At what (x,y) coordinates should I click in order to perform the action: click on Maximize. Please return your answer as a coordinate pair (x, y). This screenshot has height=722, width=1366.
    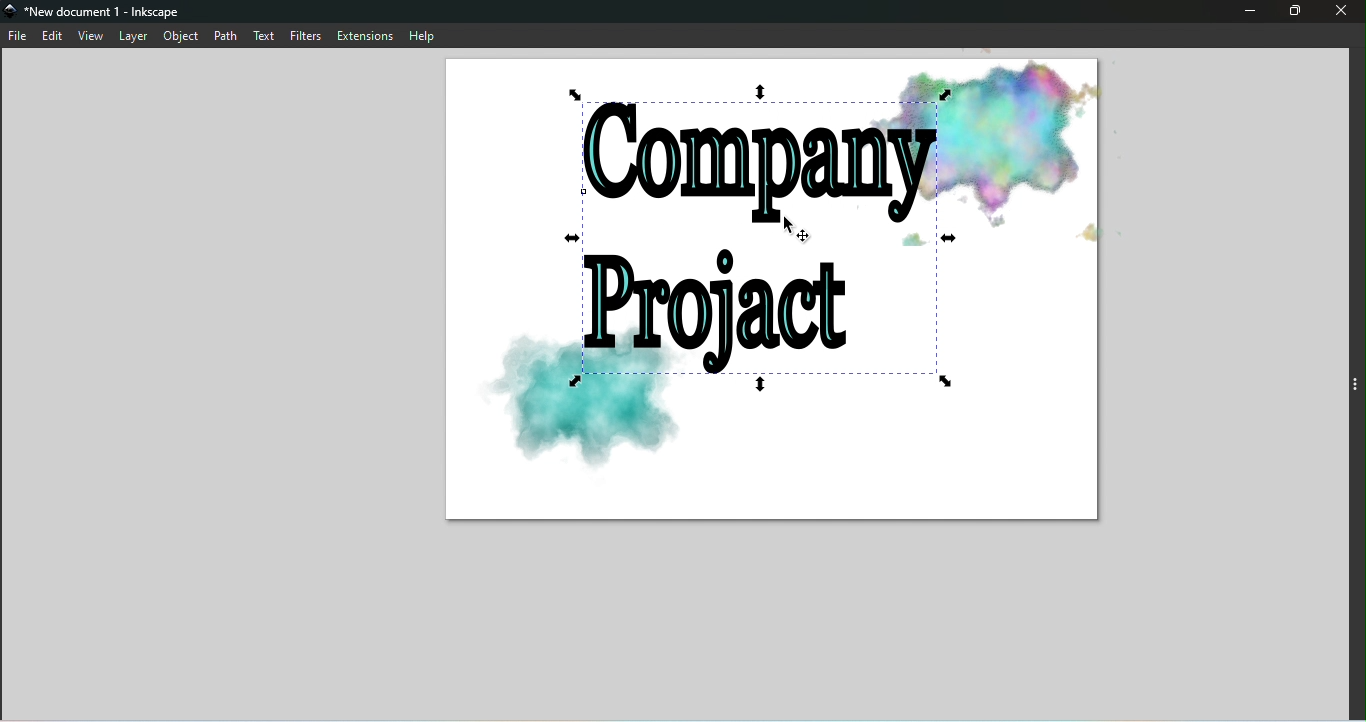
    Looking at the image, I should click on (1292, 11).